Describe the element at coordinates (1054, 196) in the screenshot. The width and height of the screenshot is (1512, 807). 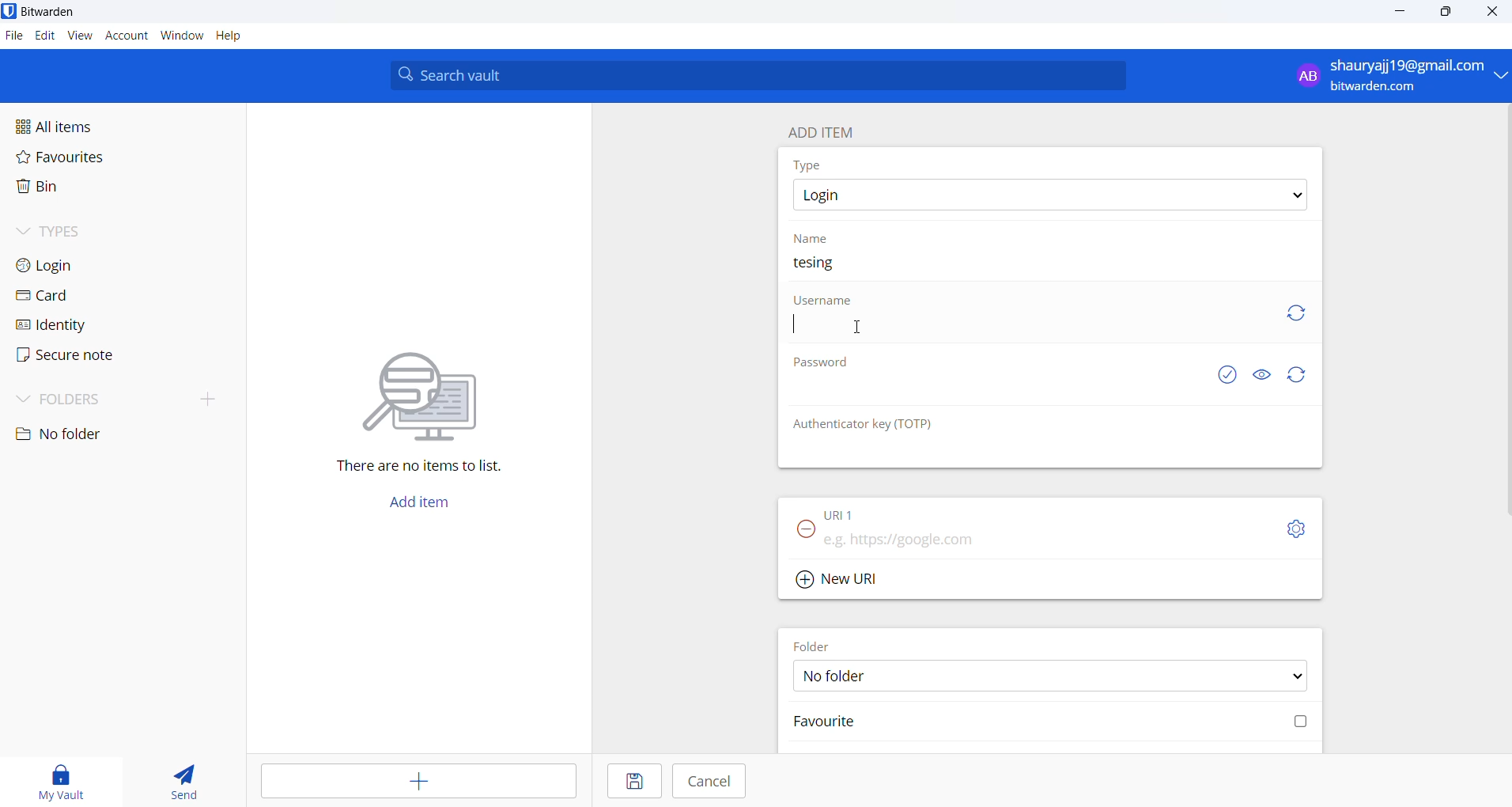
I see `type options` at that location.